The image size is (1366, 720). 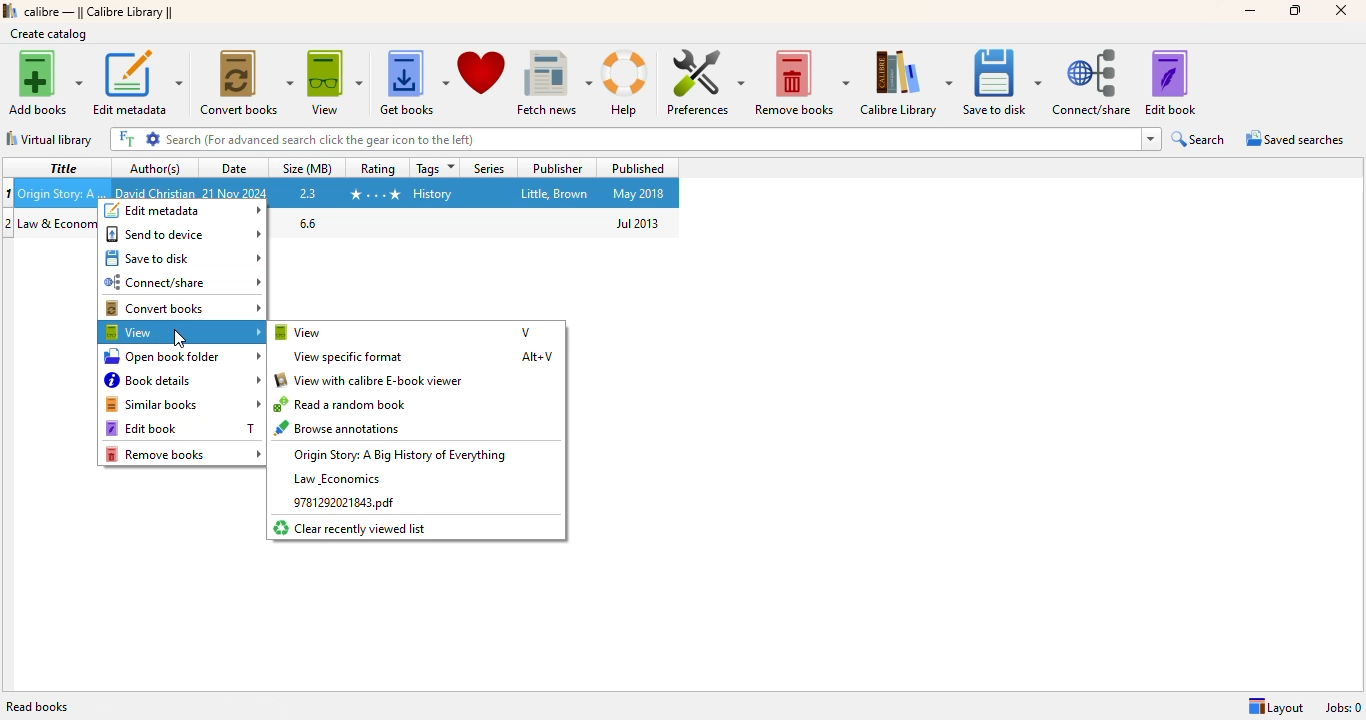 I want to click on tags, so click(x=435, y=168).